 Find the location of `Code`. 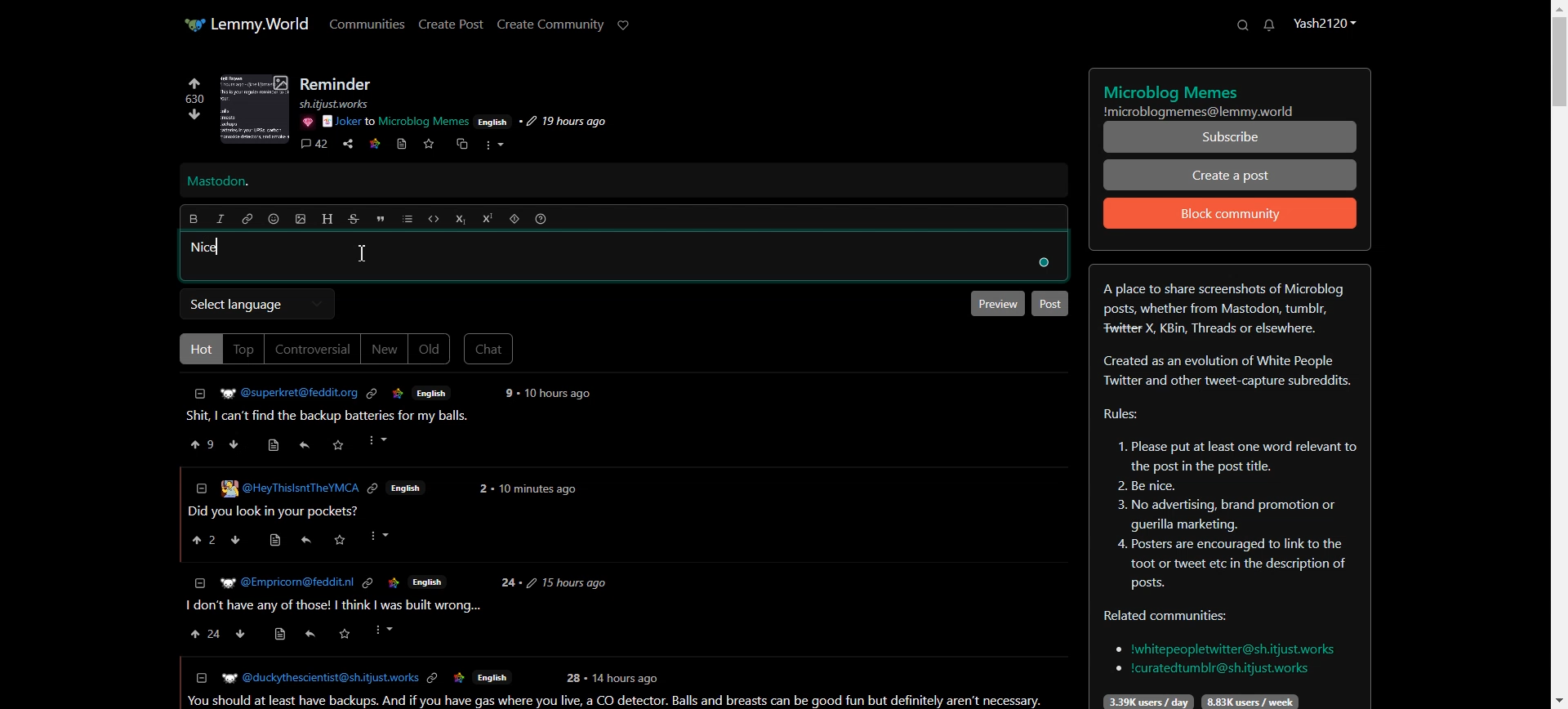

Code is located at coordinates (434, 219).